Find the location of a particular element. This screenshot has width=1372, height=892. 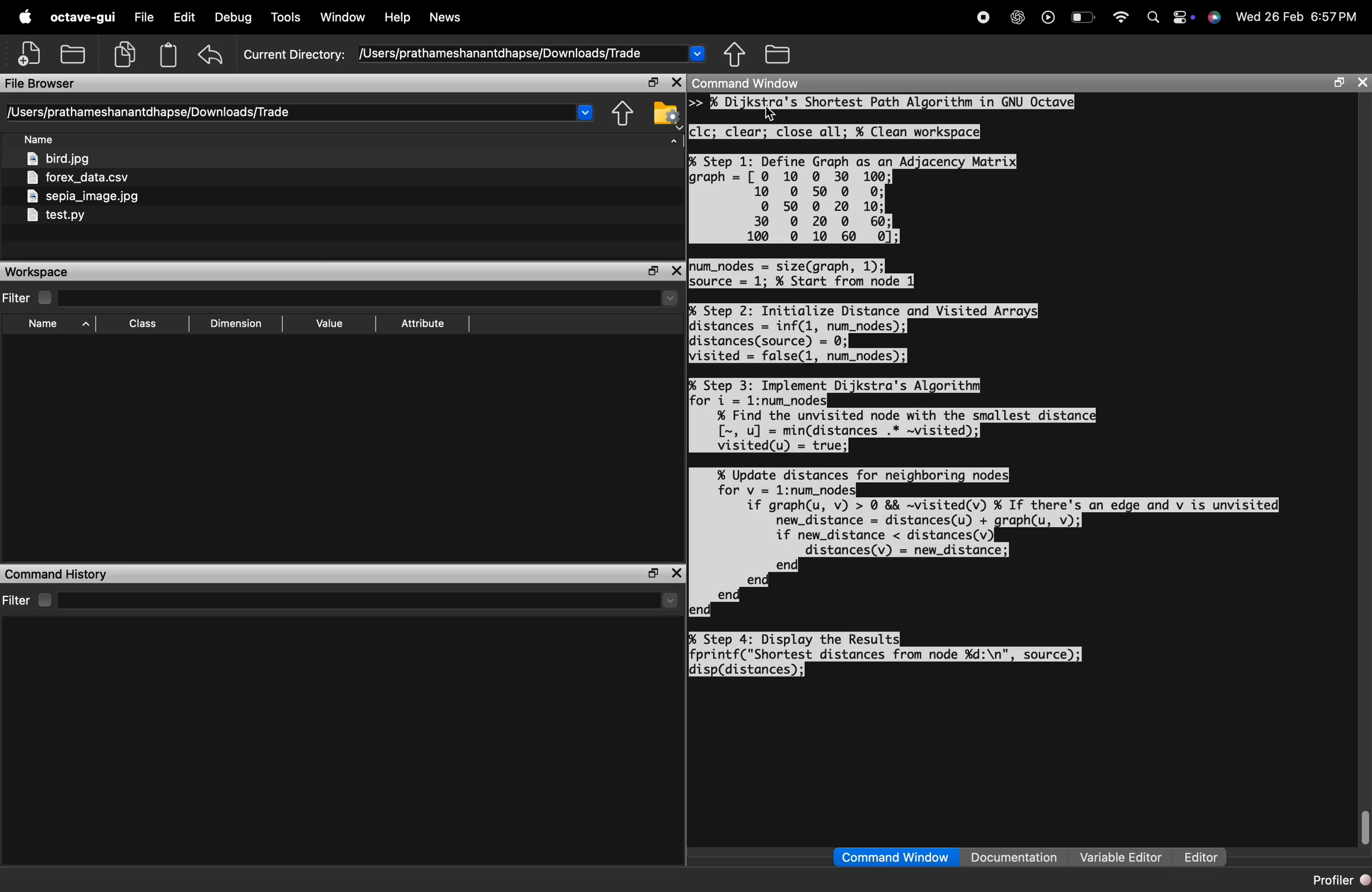

command window is located at coordinates (895, 857).